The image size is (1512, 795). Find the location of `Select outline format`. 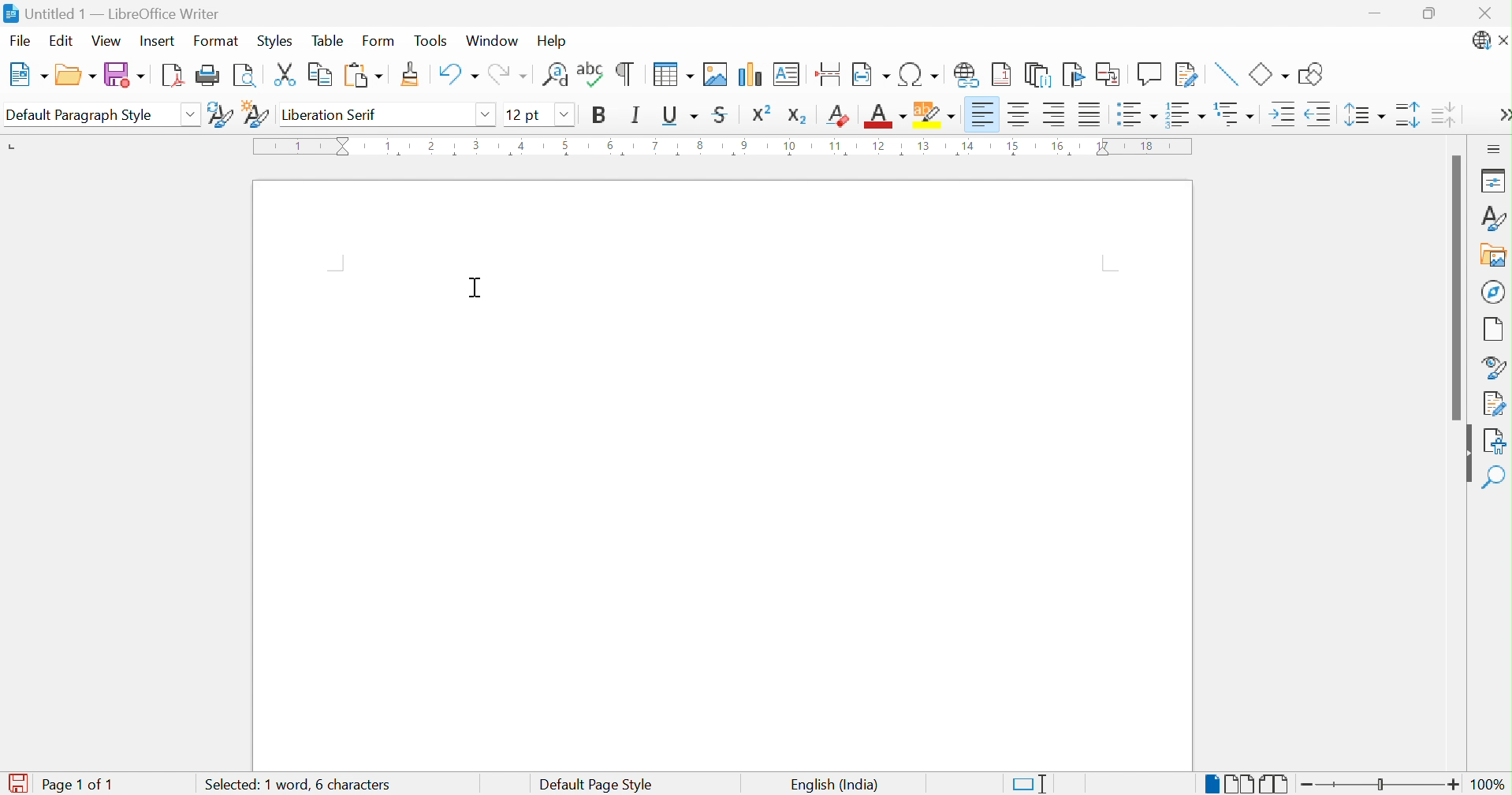

Select outline format is located at coordinates (1236, 115).